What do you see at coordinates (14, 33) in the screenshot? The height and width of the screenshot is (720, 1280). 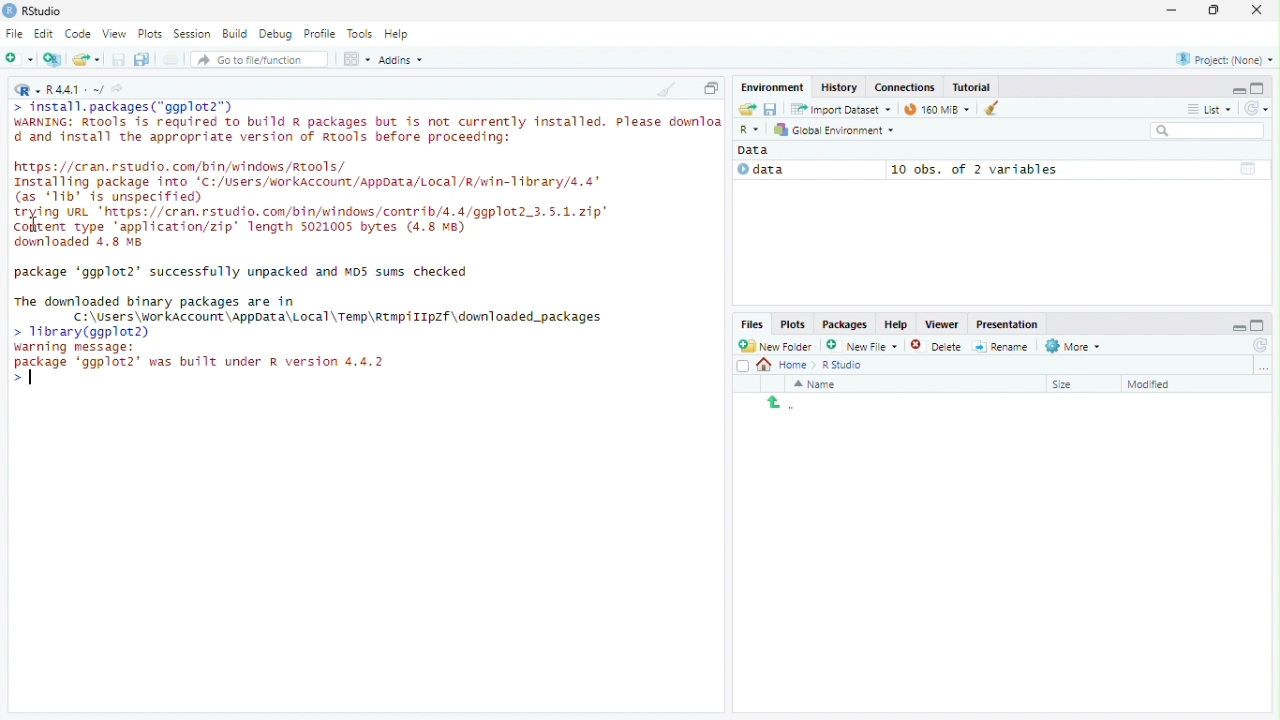 I see `File` at bounding box center [14, 33].